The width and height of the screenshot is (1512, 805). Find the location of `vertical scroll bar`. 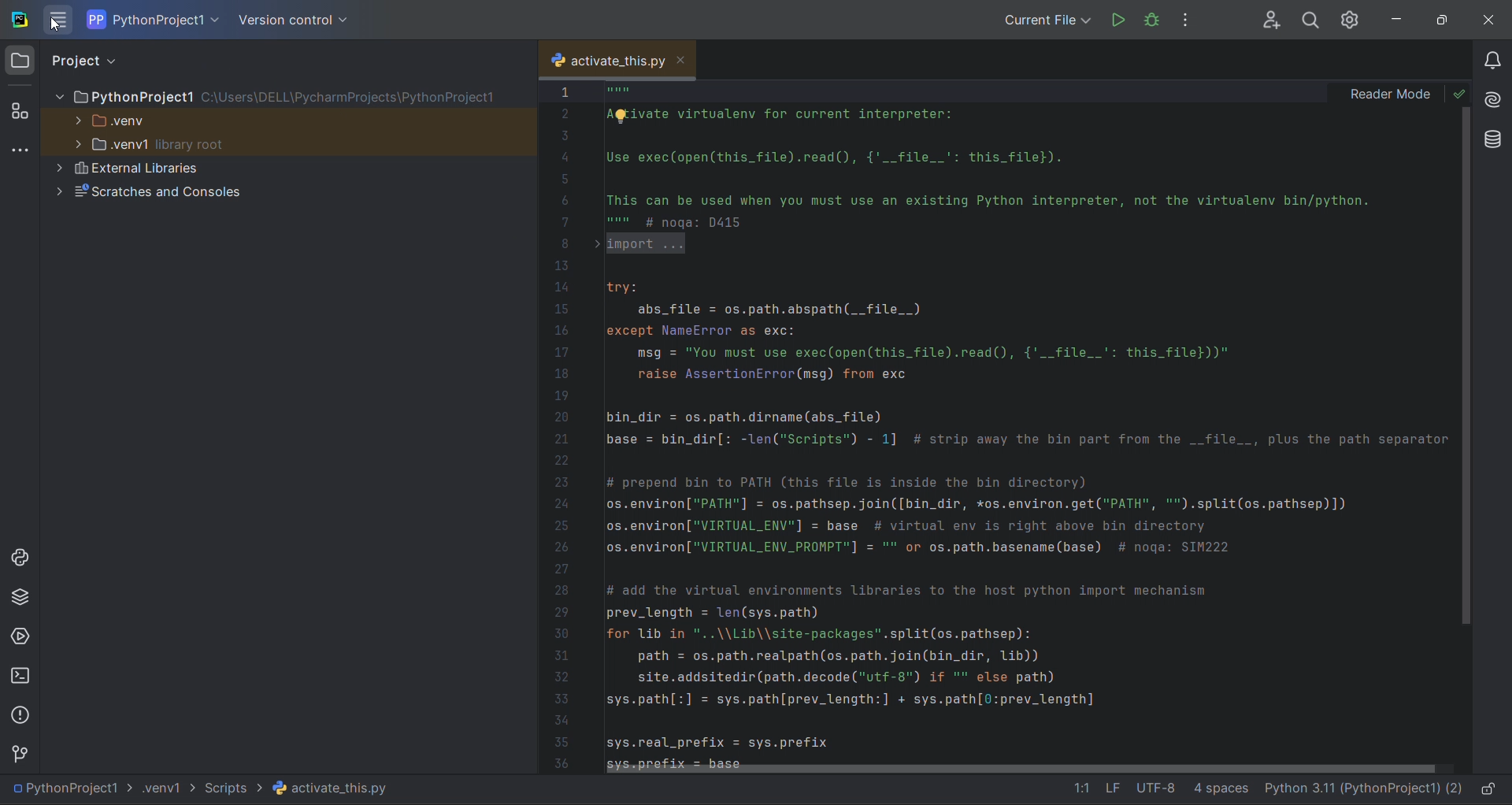

vertical scroll bar is located at coordinates (1468, 366).